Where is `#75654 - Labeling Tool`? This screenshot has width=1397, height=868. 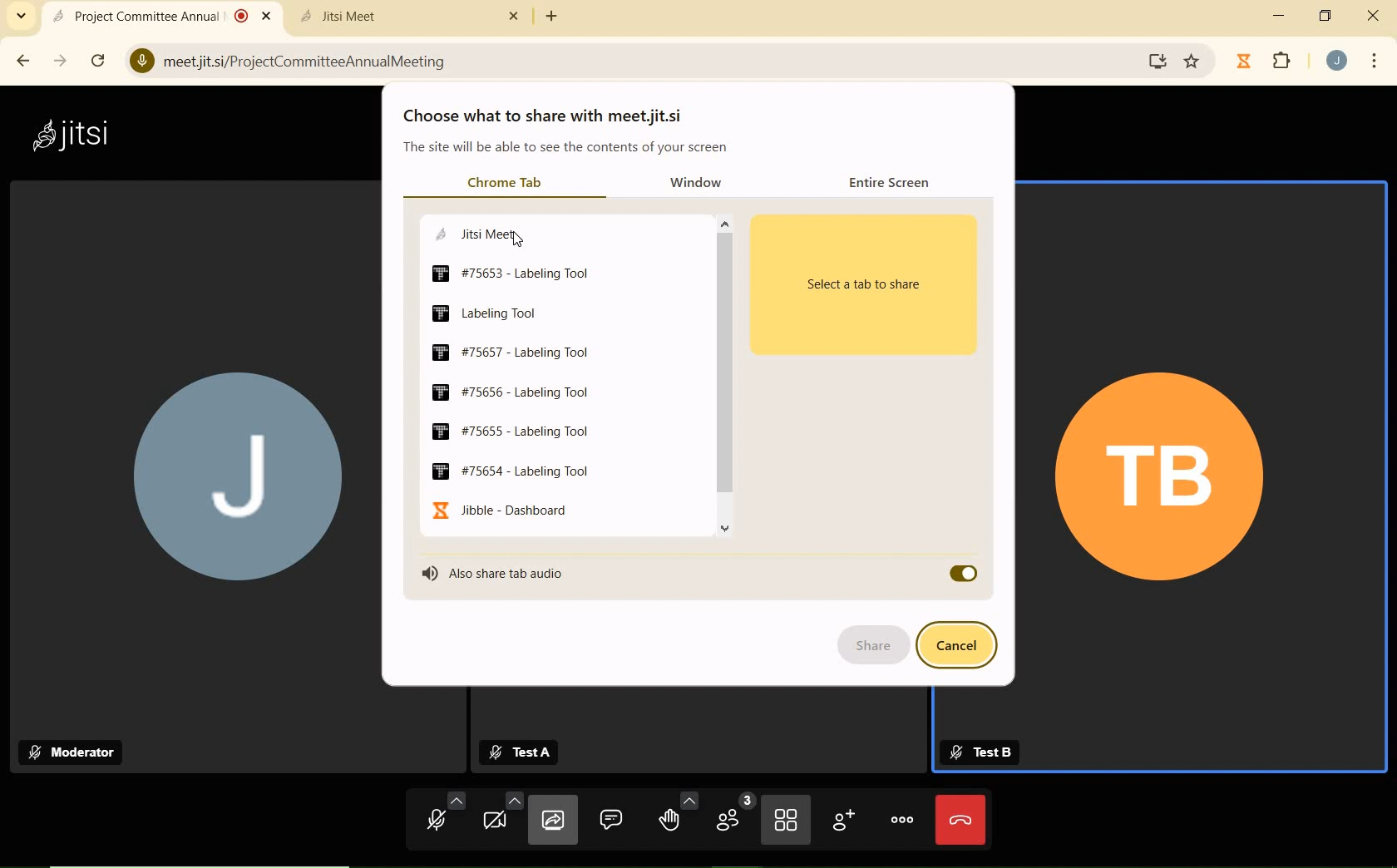 #75654 - Labeling Tool is located at coordinates (519, 470).